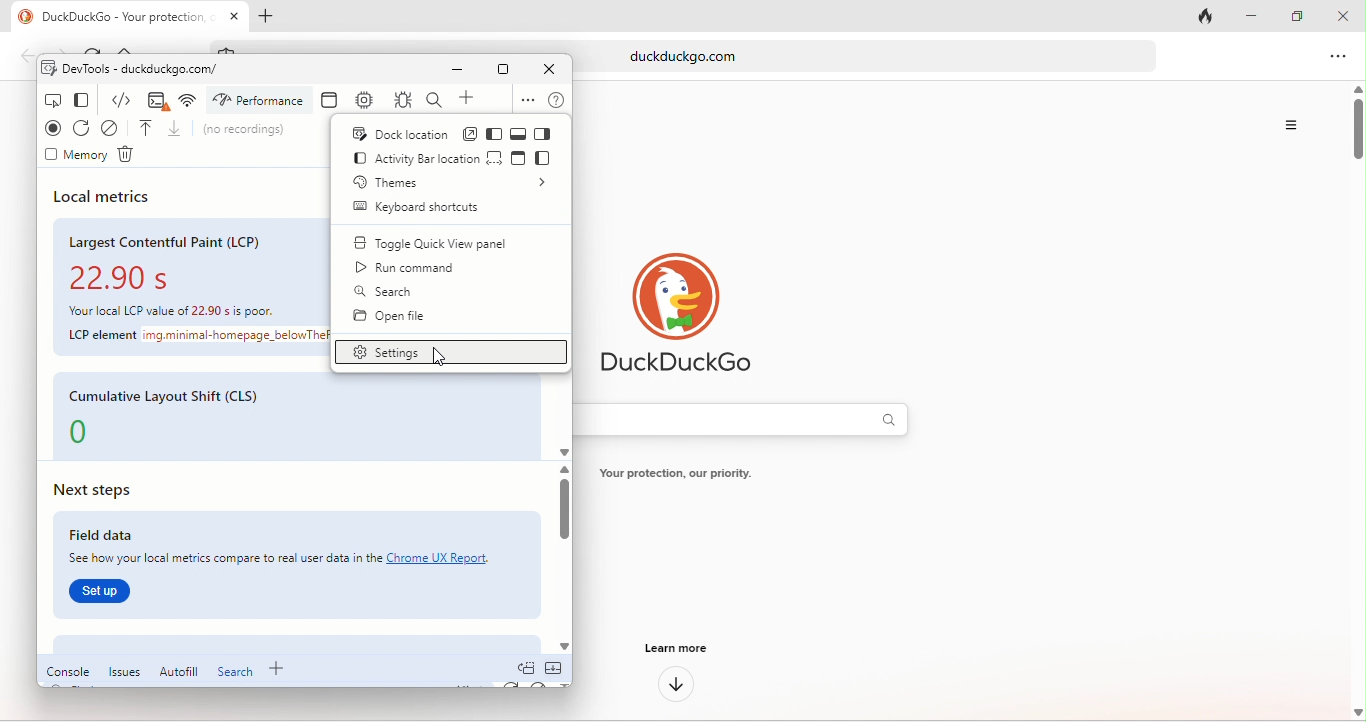  Describe the element at coordinates (1294, 125) in the screenshot. I see `option` at that location.